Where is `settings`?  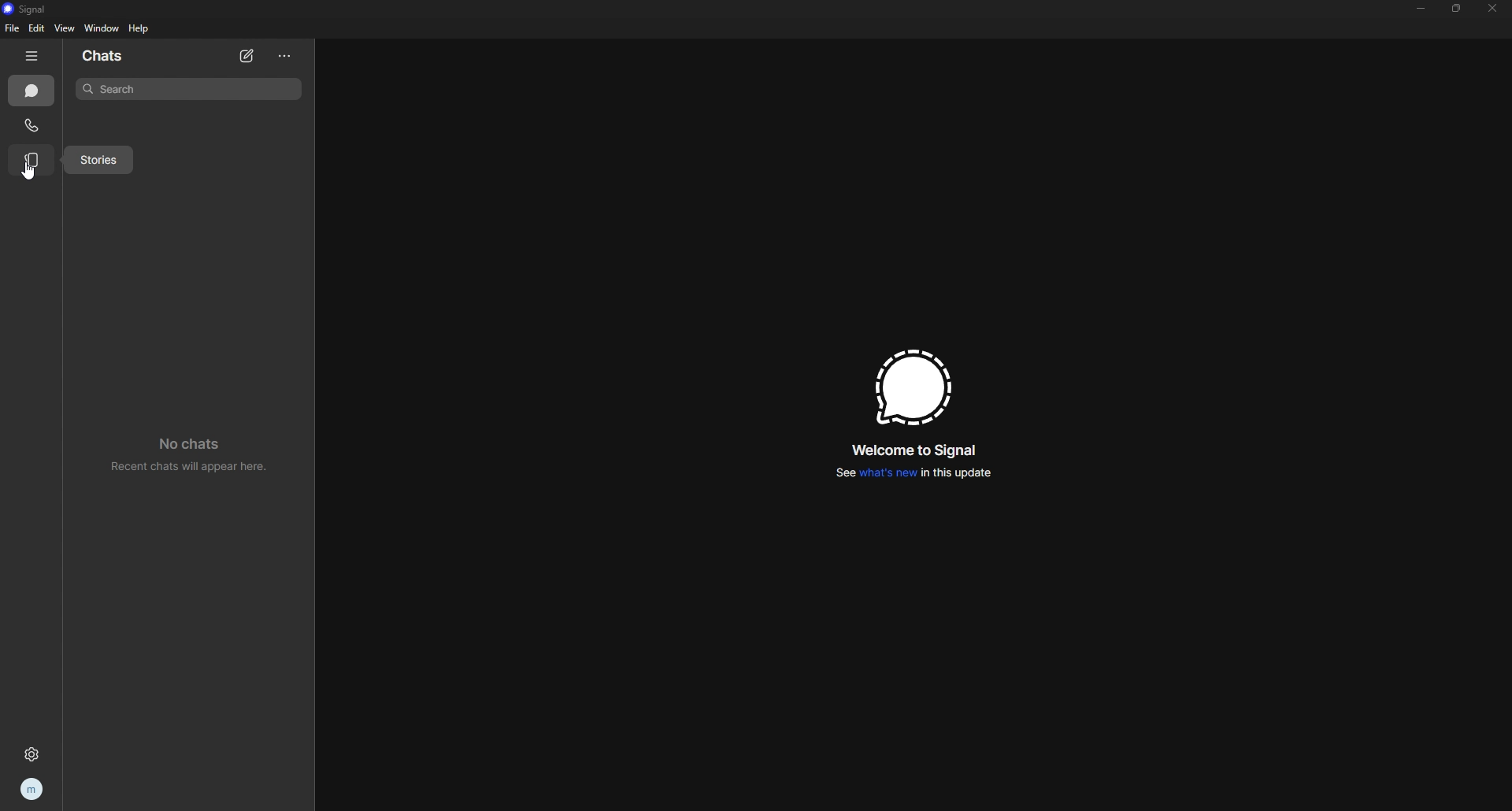 settings is located at coordinates (34, 751).